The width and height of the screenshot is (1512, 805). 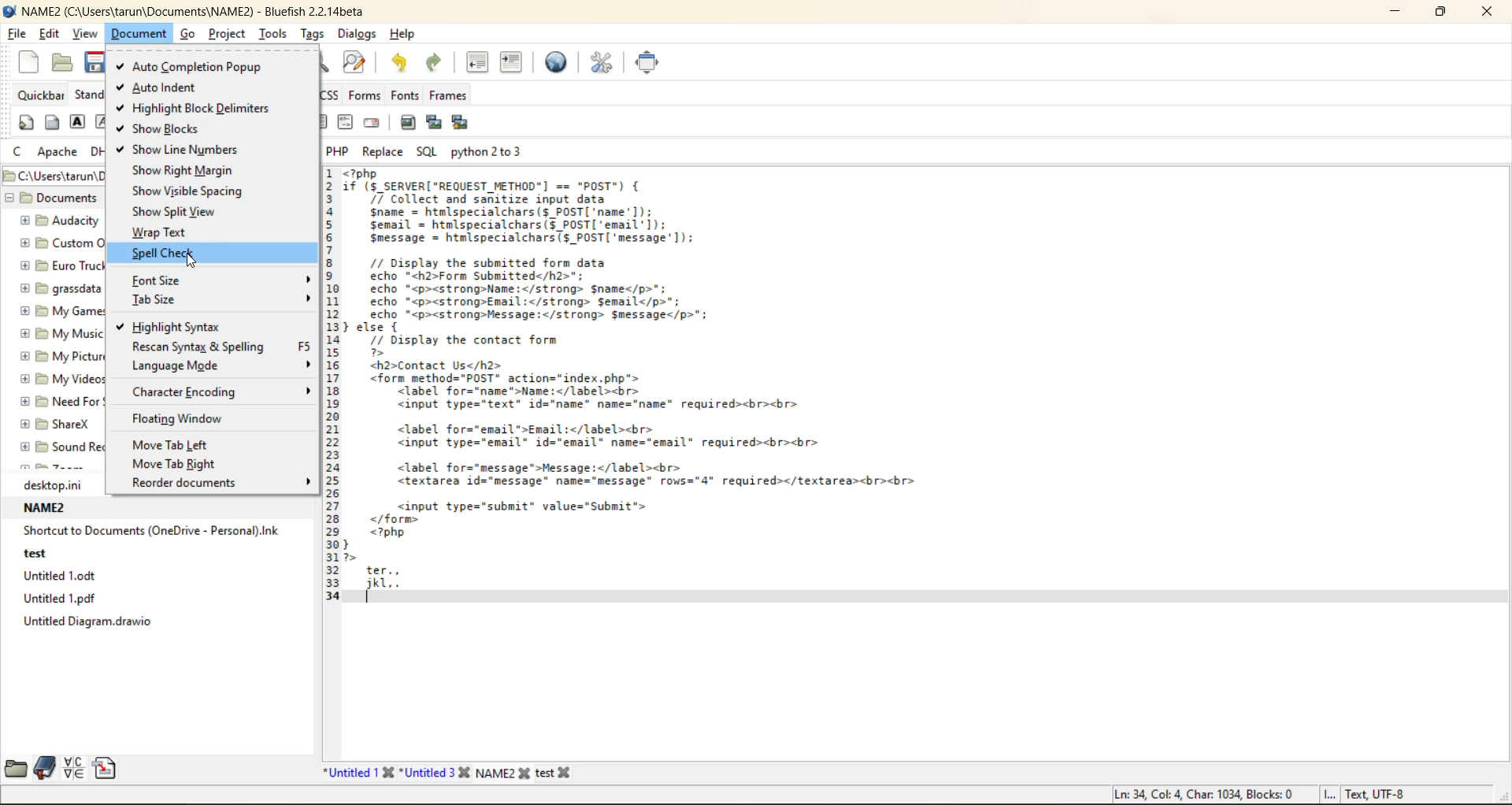 I want to click on folder, so click(x=52, y=487).